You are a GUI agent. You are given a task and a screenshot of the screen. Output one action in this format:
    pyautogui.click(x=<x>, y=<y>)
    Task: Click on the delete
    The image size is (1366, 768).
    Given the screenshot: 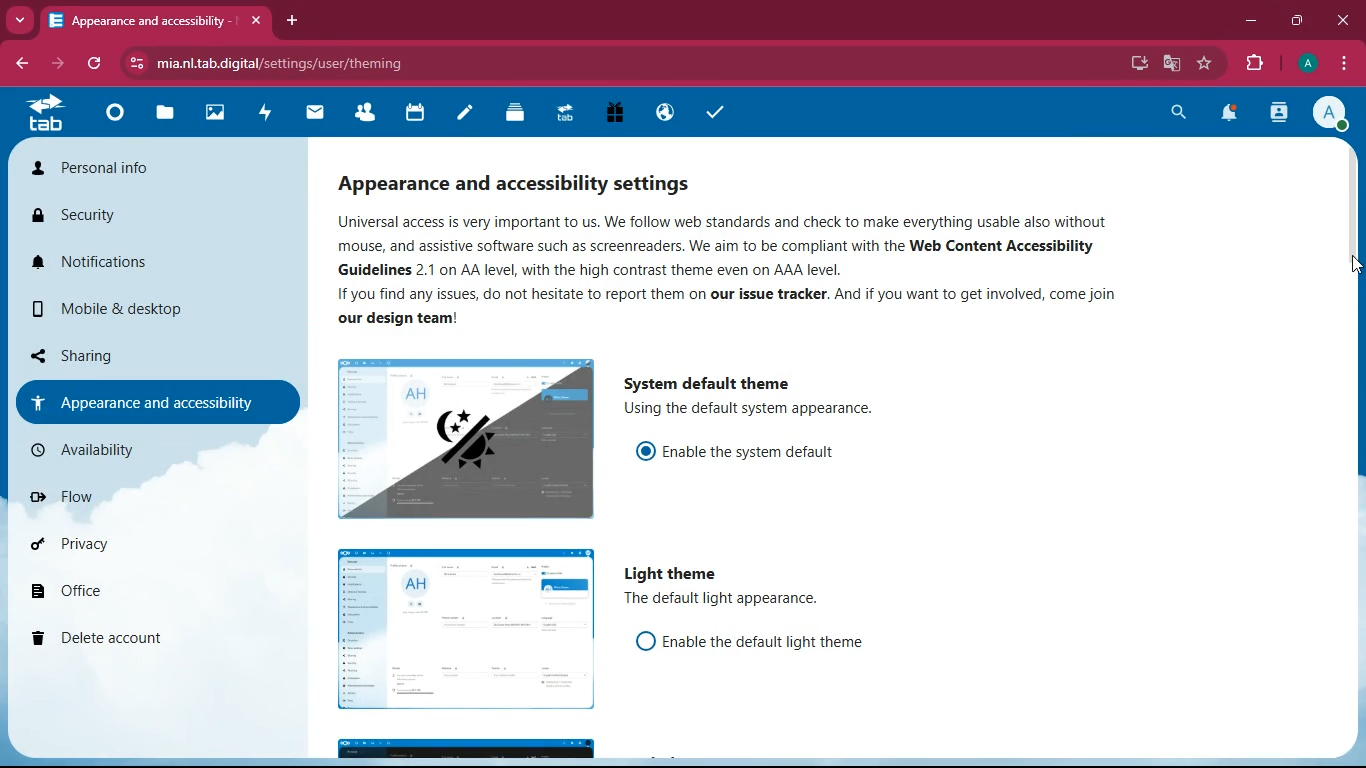 What is the action you would take?
    pyautogui.click(x=123, y=639)
    